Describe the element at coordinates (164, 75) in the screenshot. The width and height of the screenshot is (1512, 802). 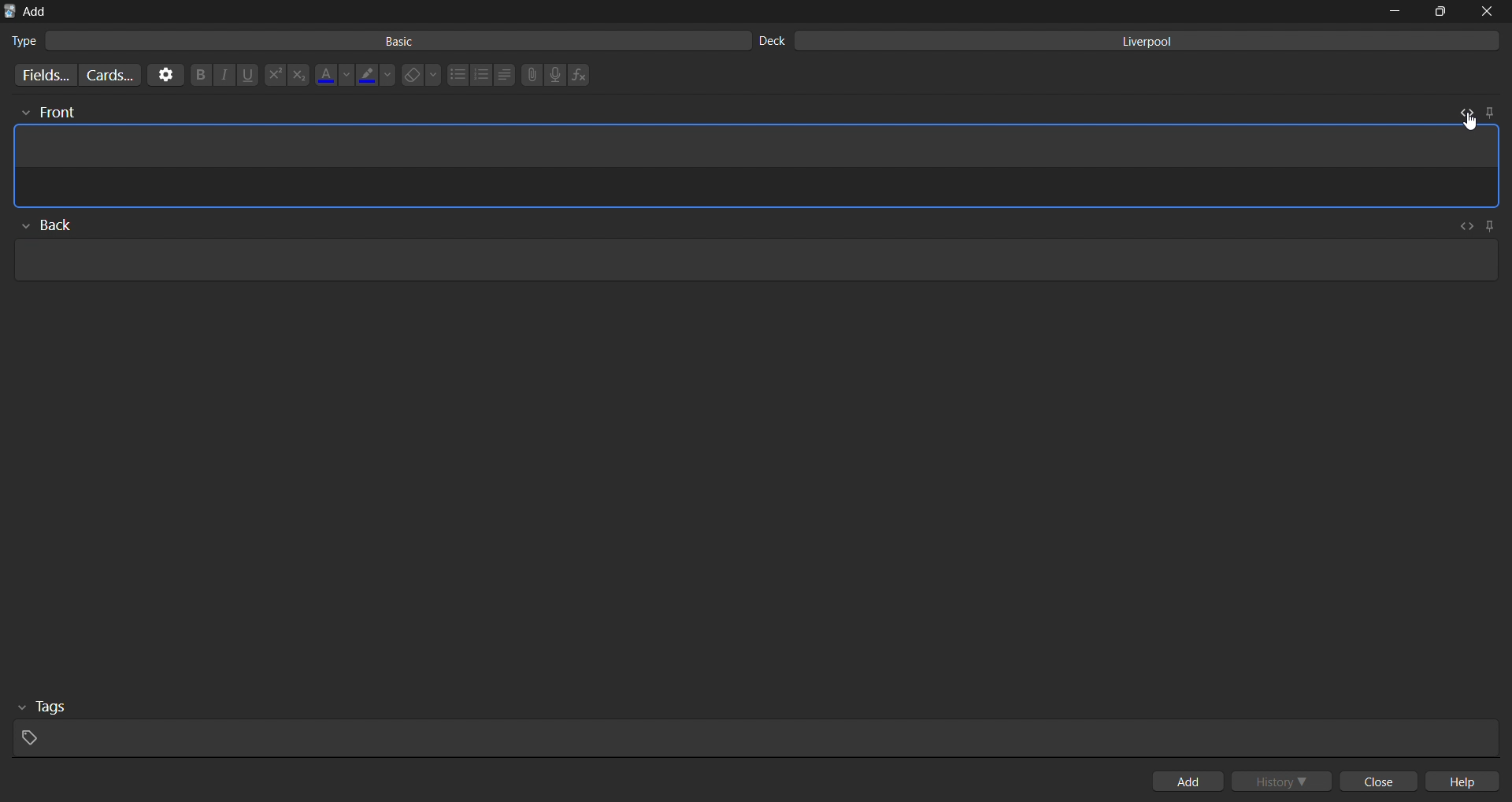
I see `options` at that location.